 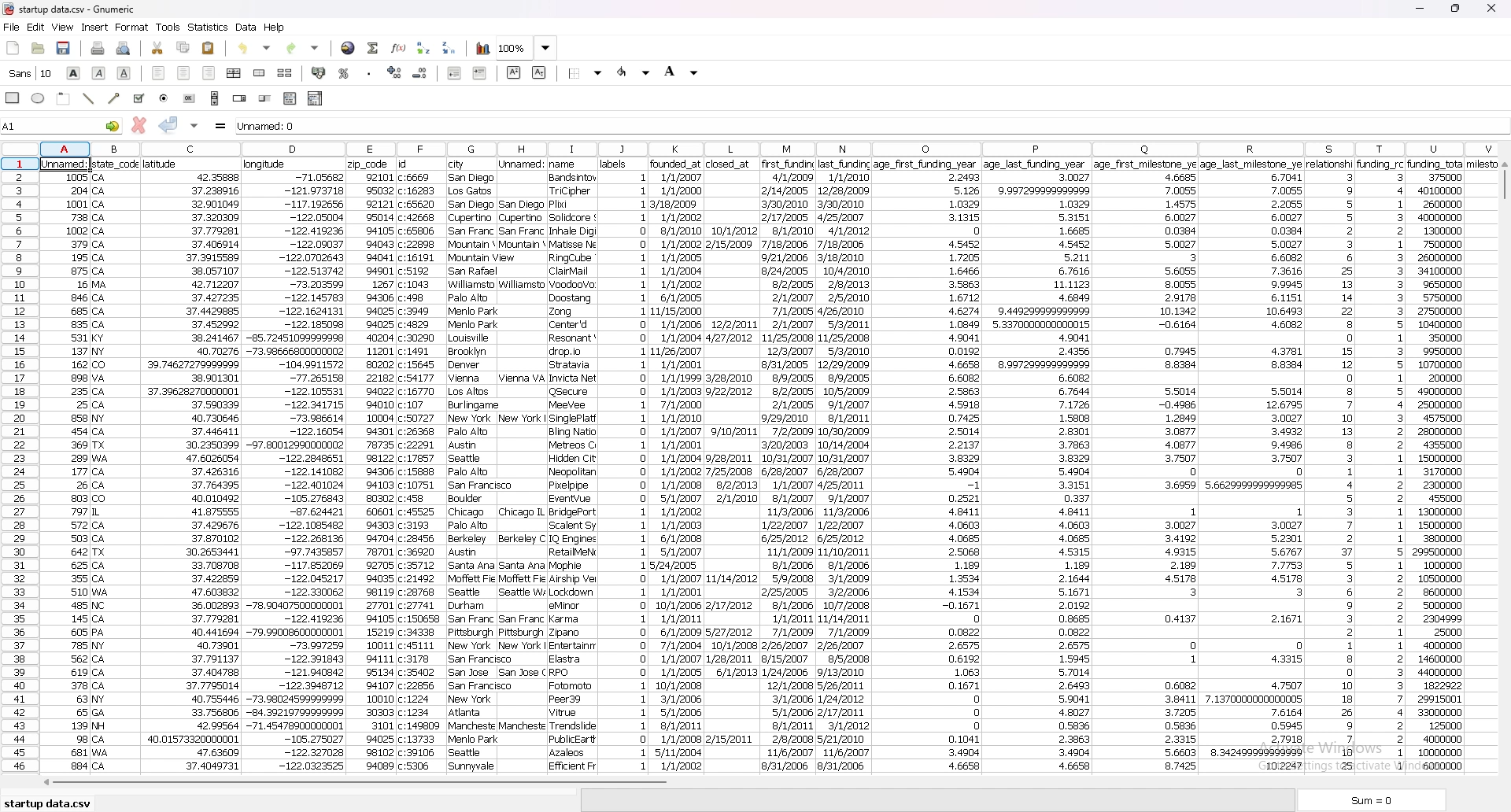 What do you see at coordinates (482, 50) in the screenshot?
I see `chart` at bounding box center [482, 50].